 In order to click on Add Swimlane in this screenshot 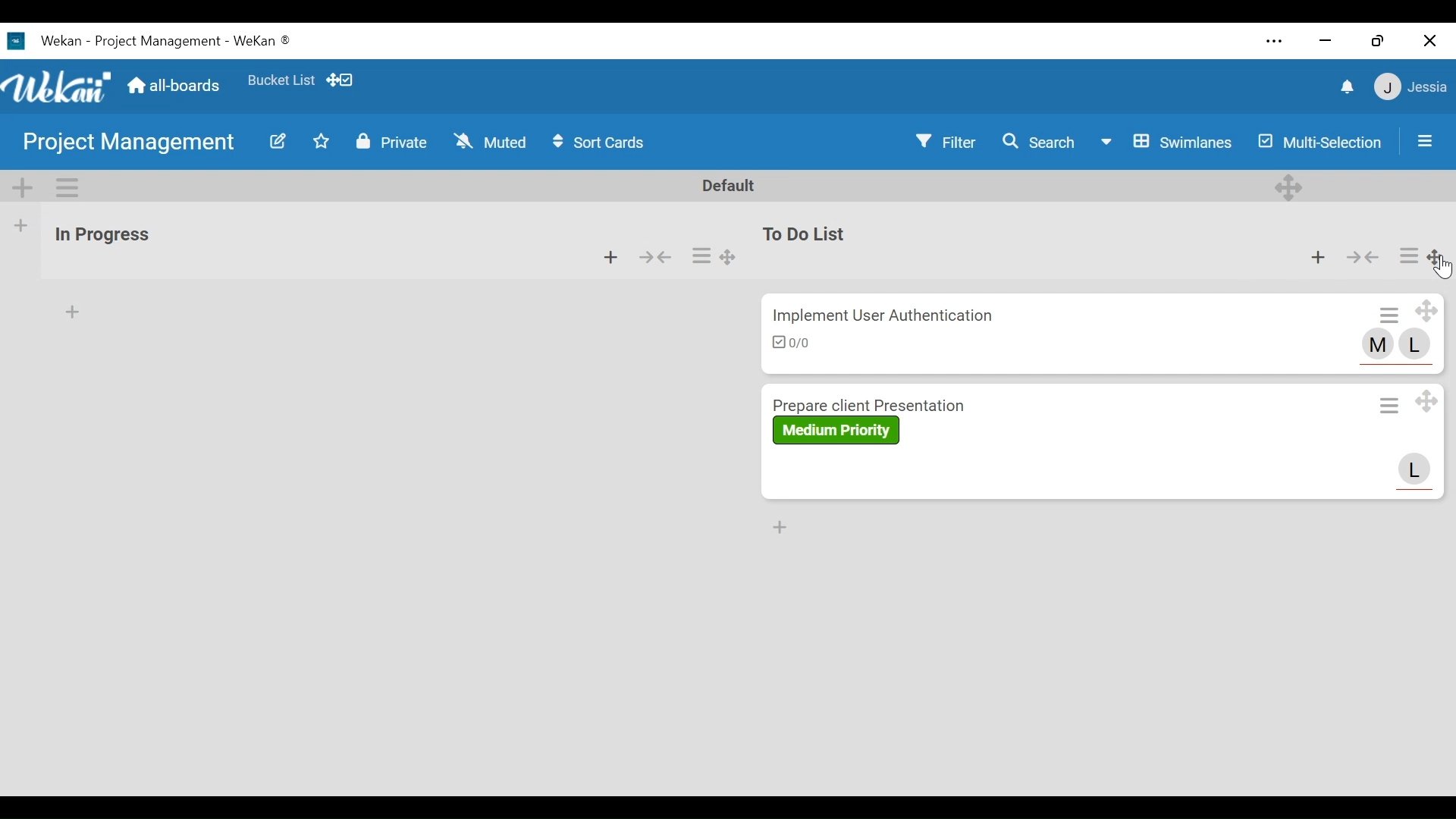, I will do `click(21, 187)`.